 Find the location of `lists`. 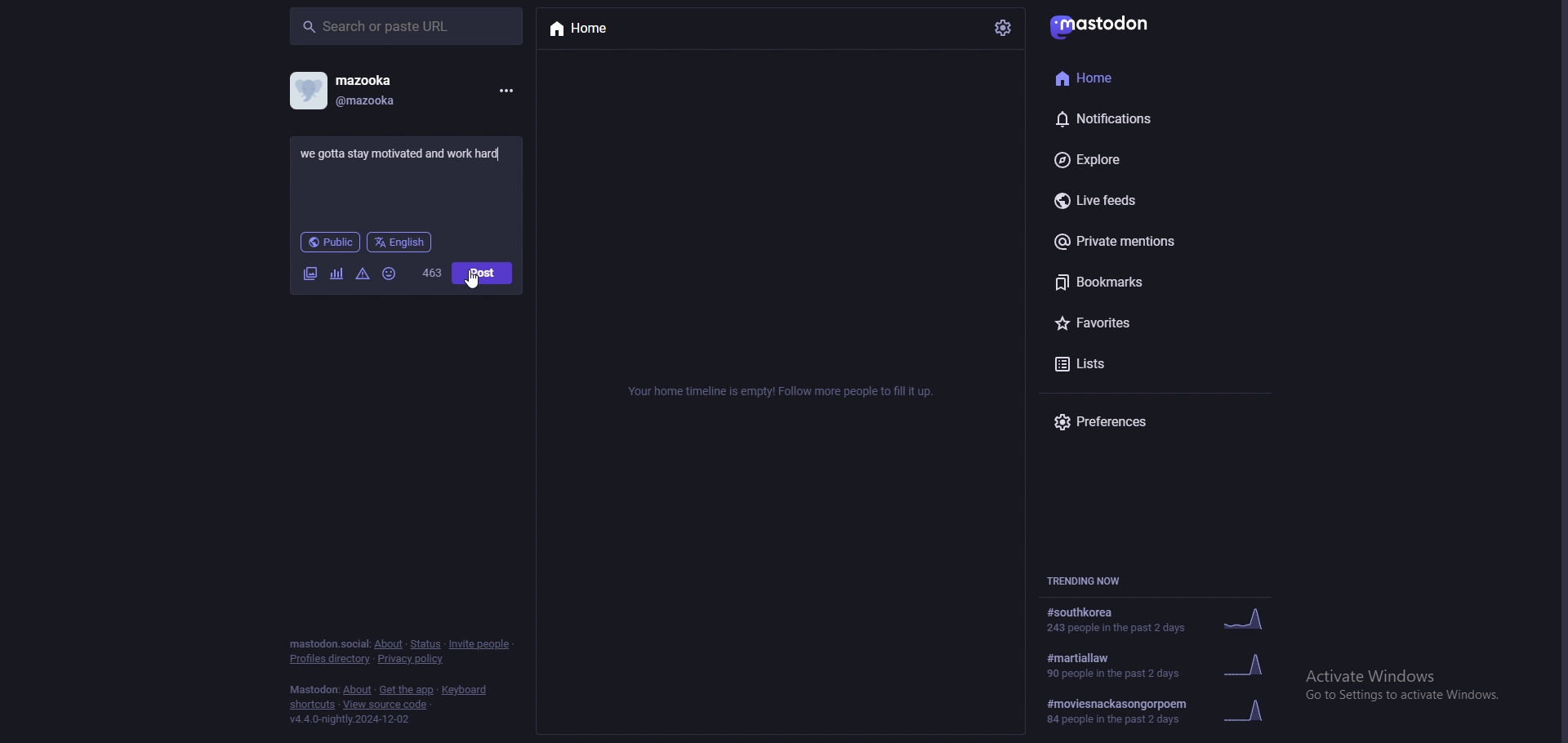

lists is located at coordinates (1130, 366).